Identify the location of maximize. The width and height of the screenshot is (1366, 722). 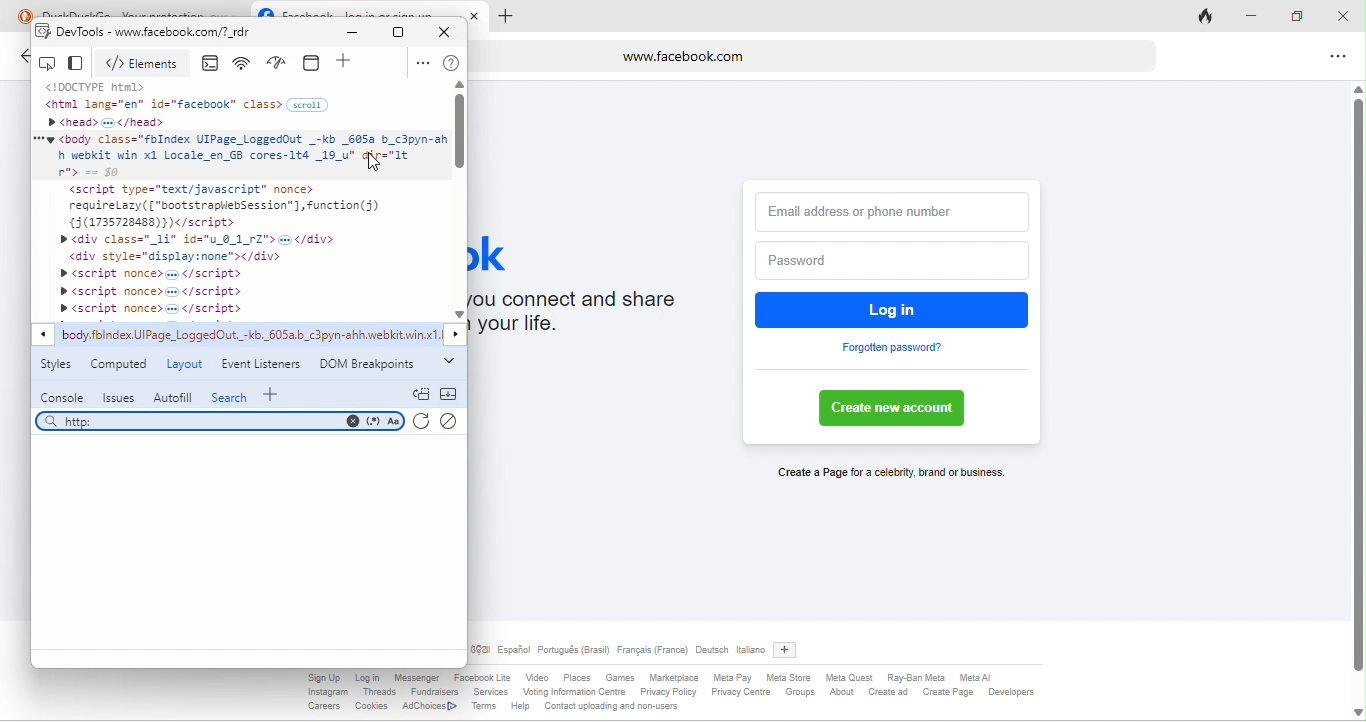
(399, 32).